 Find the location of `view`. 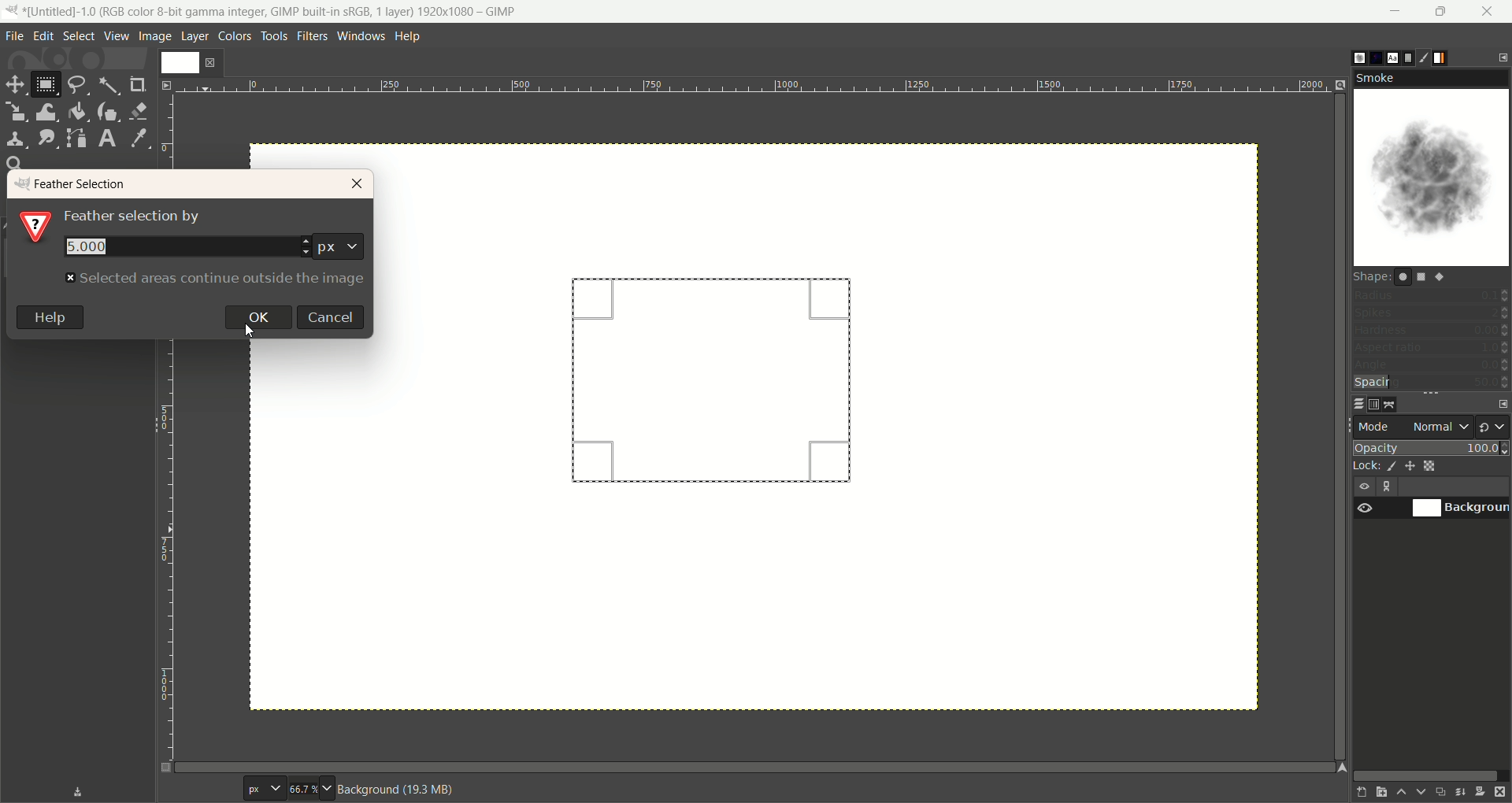

view is located at coordinates (117, 37).